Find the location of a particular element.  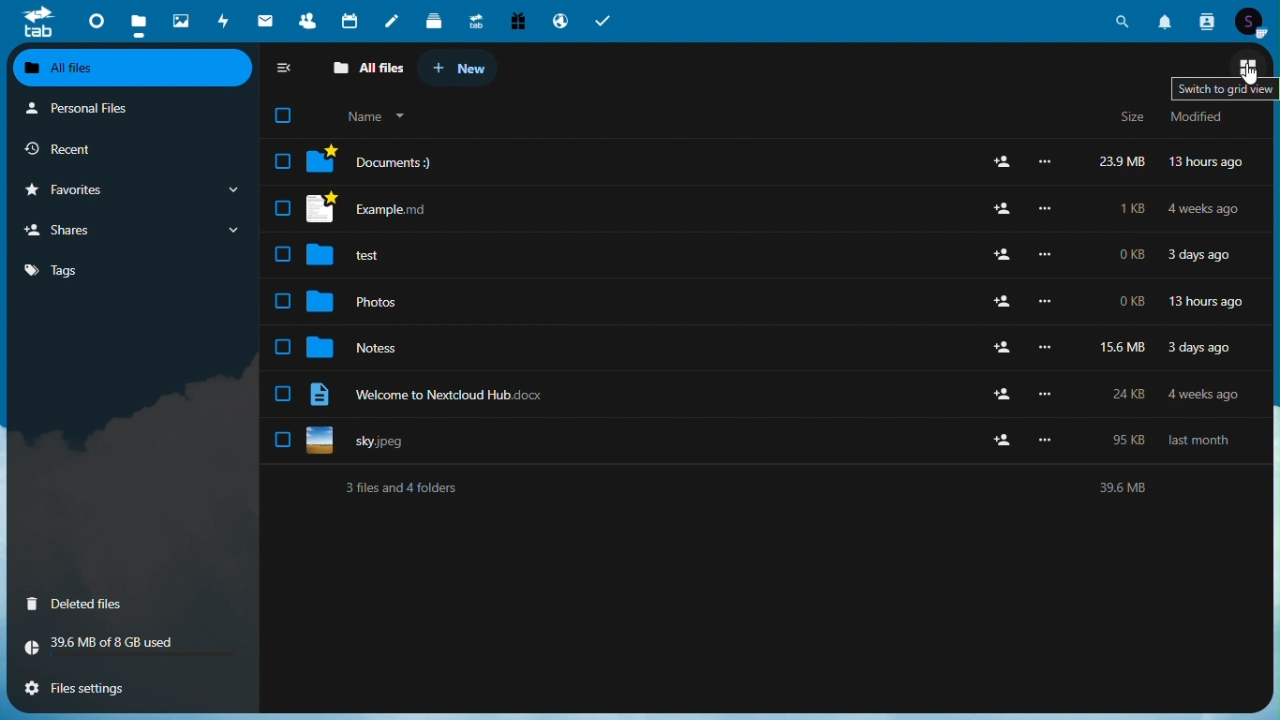

cursor is located at coordinates (1250, 76).